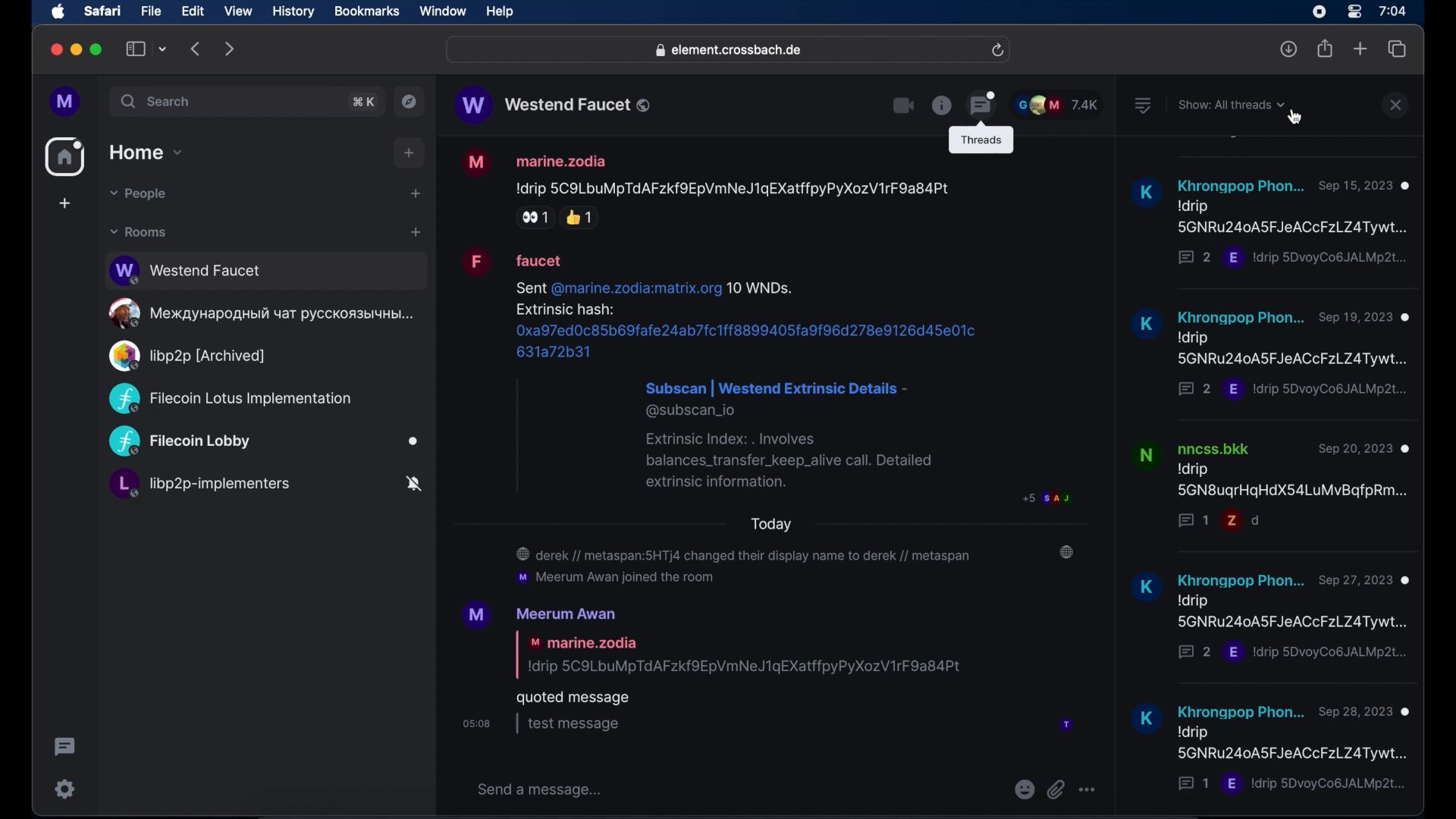 This screenshot has height=819, width=1456. Describe the element at coordinates (1318, 786) in the screenshot. I see `E drip 5DvoyCoBJALMp2t...` at that location.